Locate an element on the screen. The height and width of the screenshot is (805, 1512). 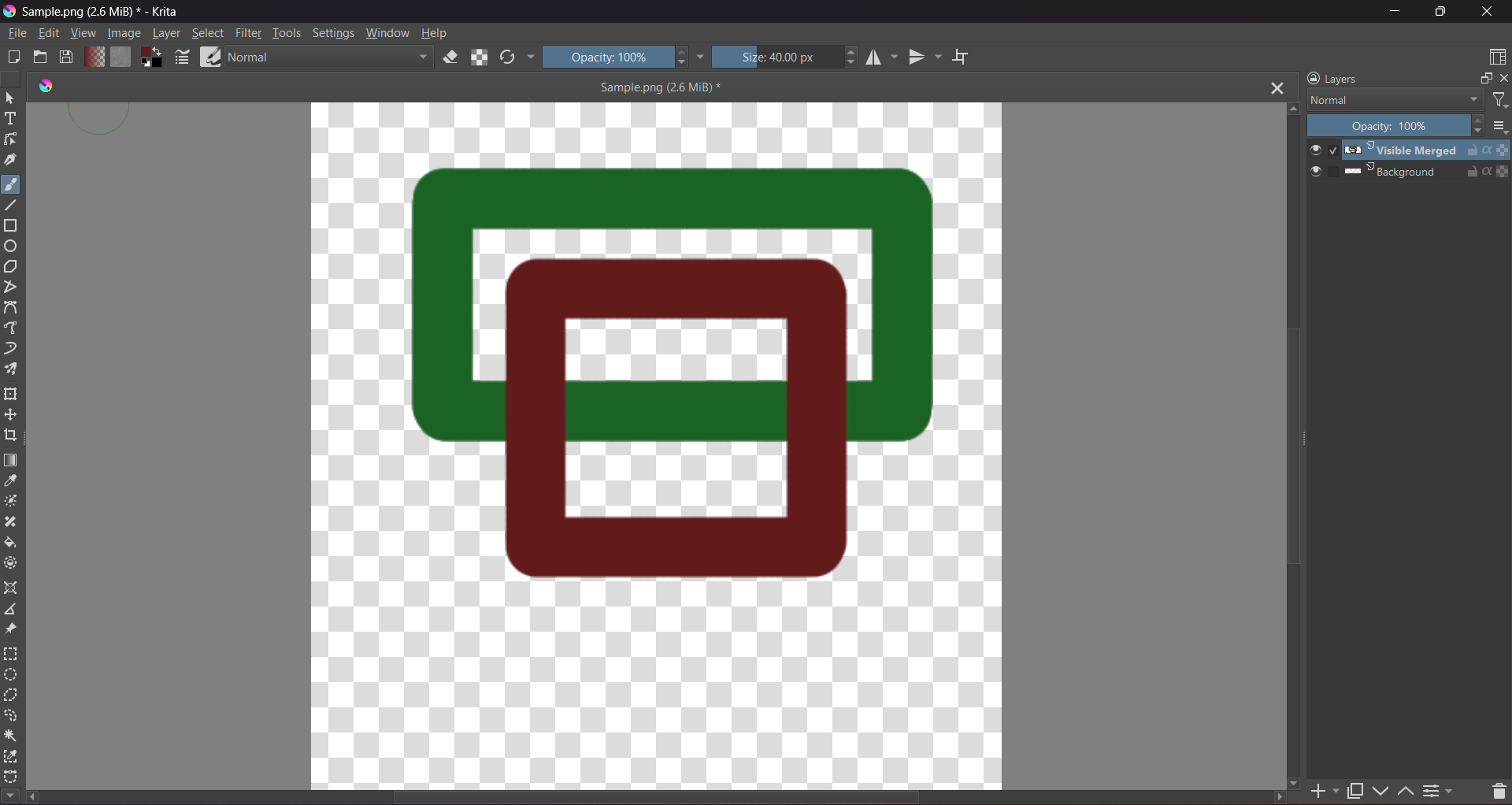
Variable Merged is located at coordinates (1410, 150).